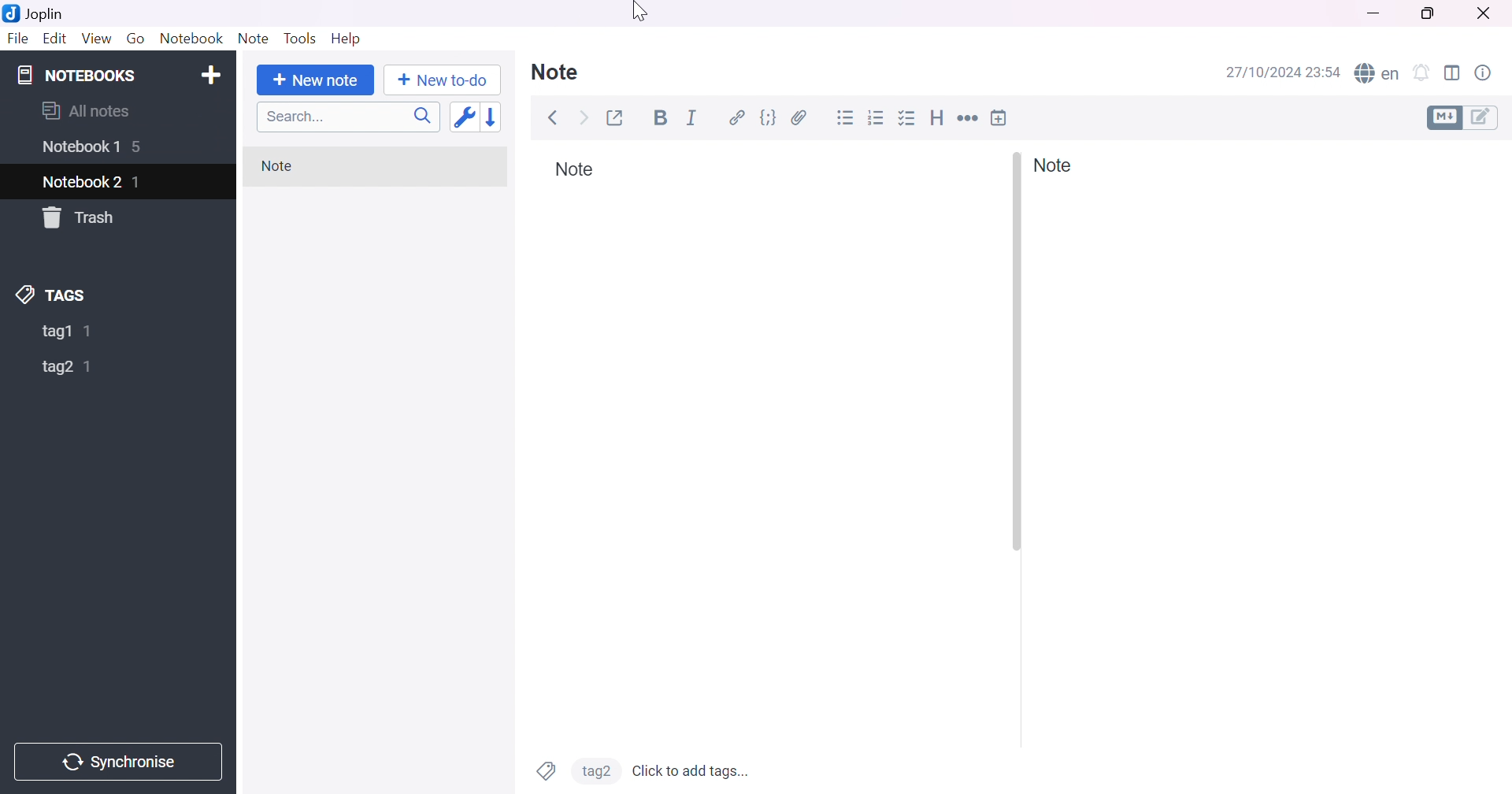  What do you see at coordinates (546, 770) in the screenshot?
I see `Tags` at bounding box center [546, 770].